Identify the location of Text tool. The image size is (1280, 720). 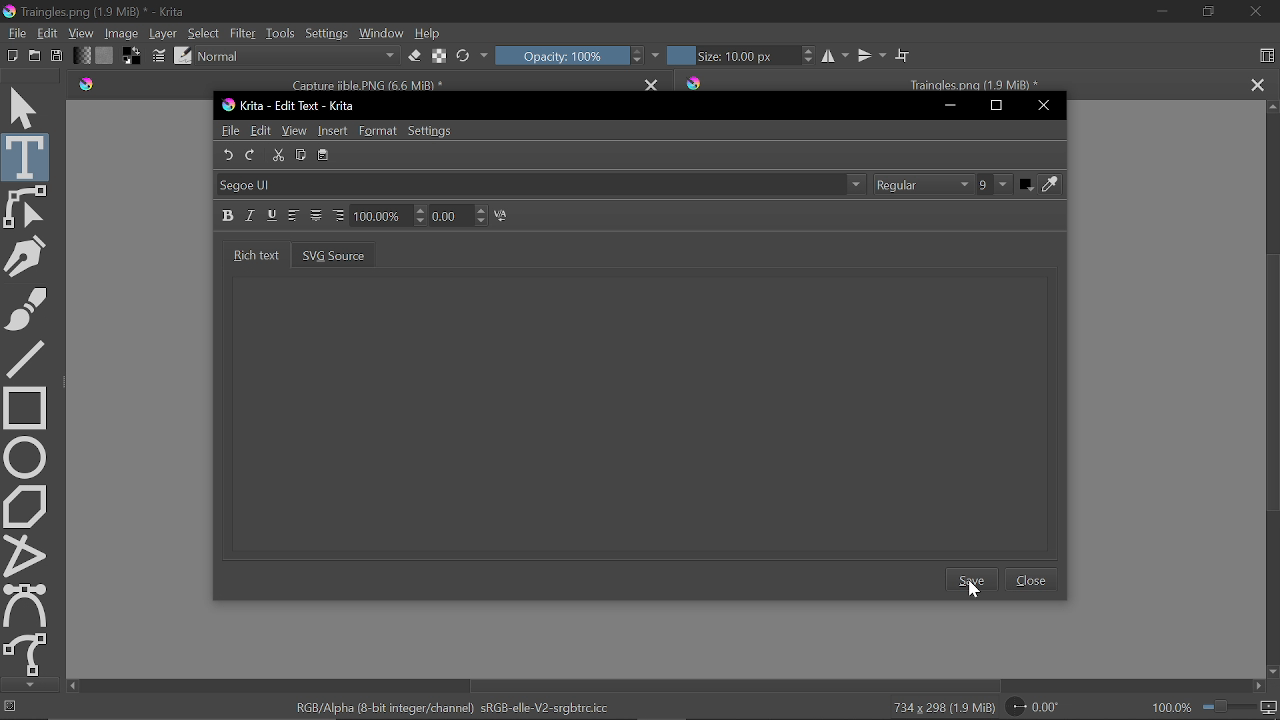
(27, 157).